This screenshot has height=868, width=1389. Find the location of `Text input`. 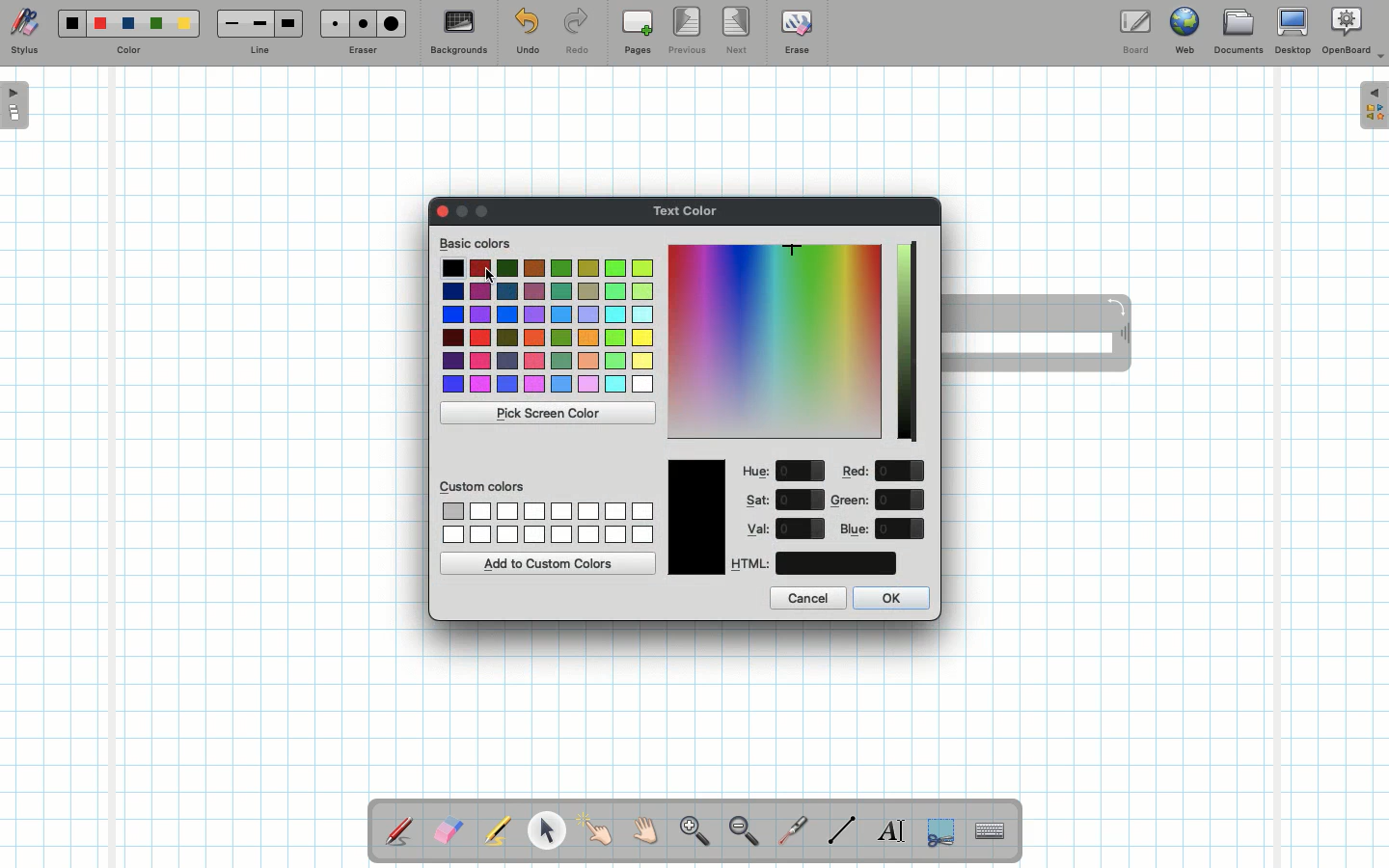

Text input is located at coordinates (991, 826).